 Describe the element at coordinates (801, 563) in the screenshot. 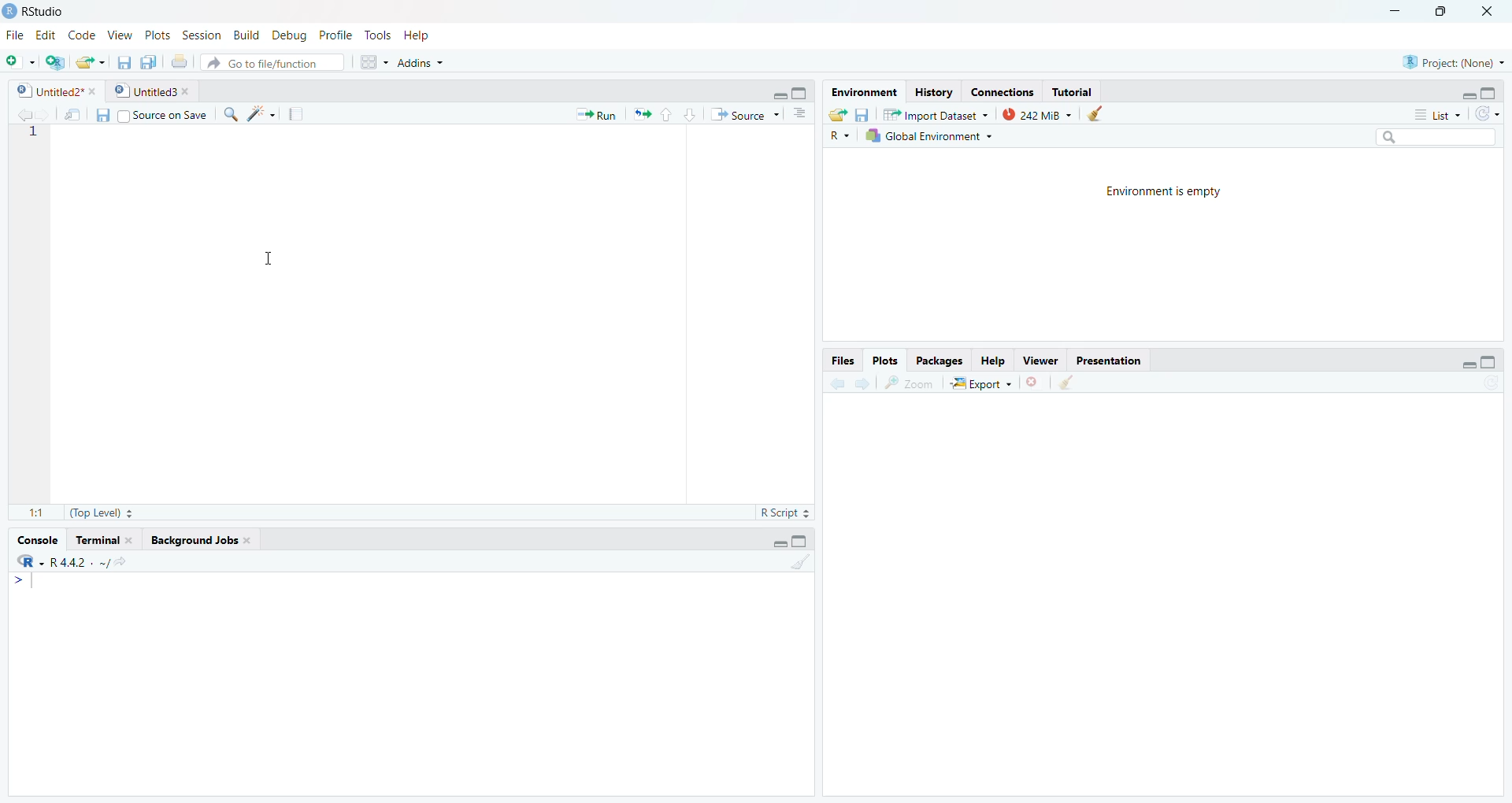

I see `cleaner console` at that location.